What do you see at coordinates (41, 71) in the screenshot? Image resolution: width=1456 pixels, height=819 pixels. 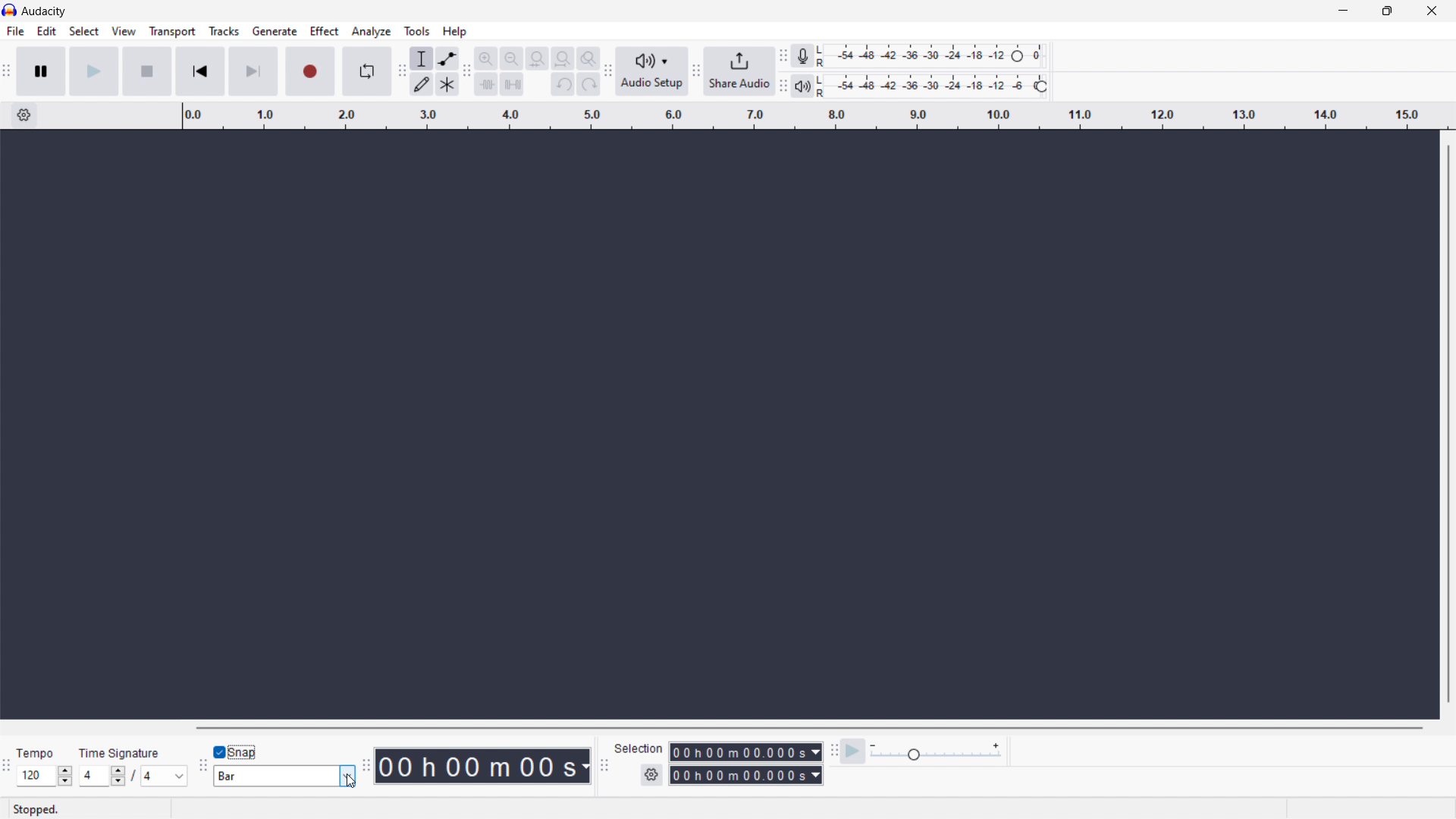 I see `pause` at bounding box center [41, 71].